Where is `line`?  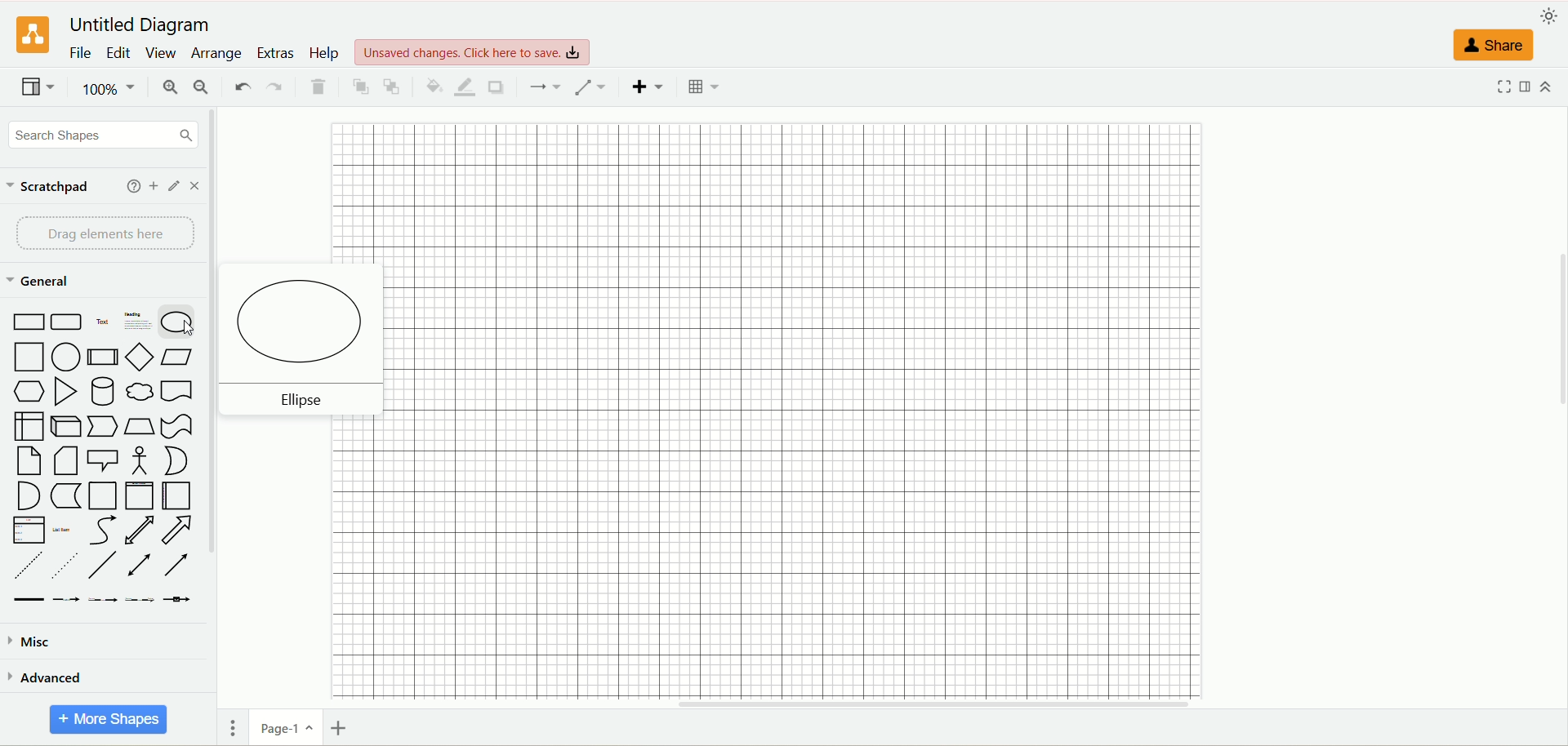
line is located at coordinates (101, 565).